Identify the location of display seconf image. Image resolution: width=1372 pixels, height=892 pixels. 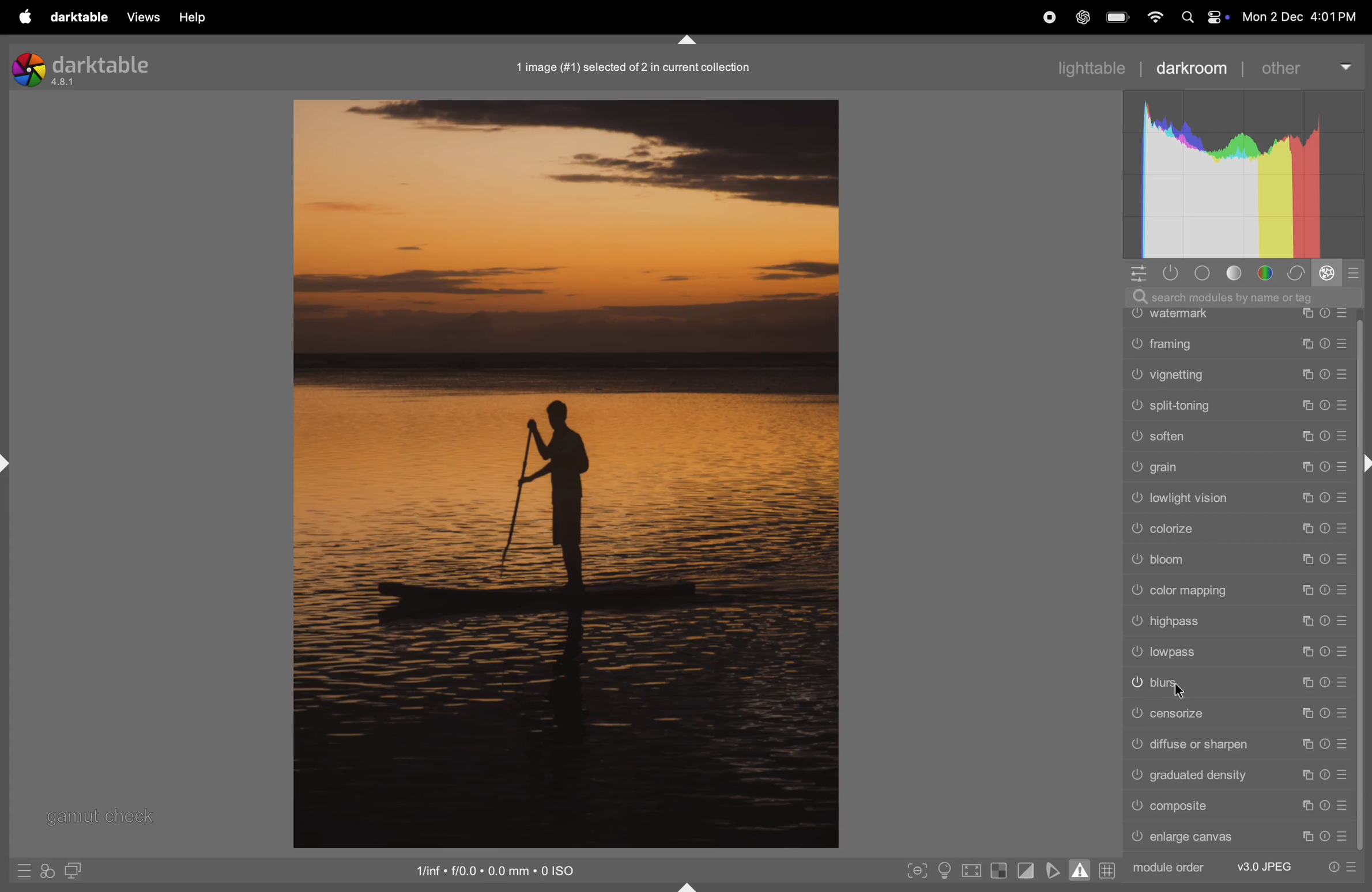
(76, 870).